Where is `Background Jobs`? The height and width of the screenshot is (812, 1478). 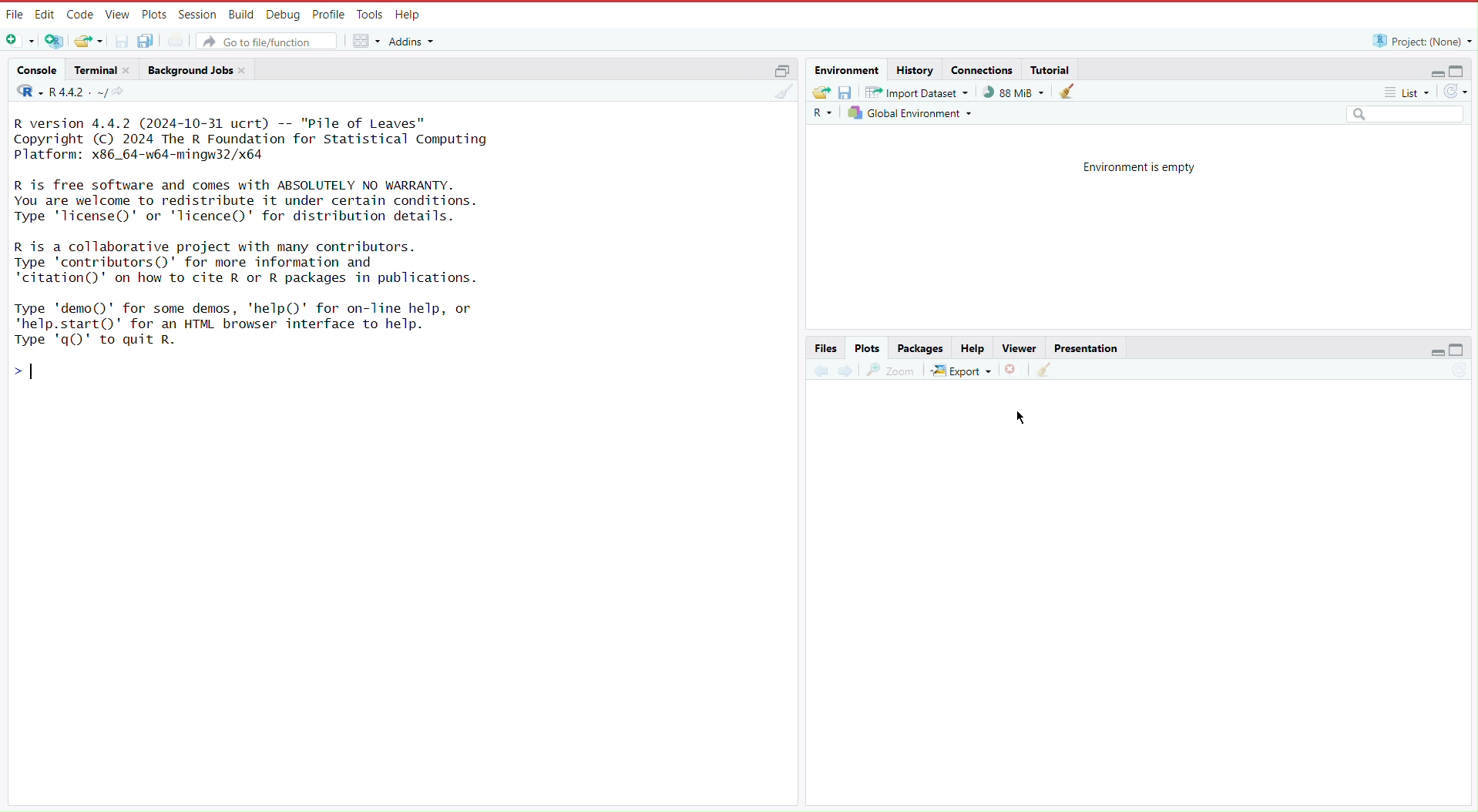
Background Jobs is located at coordinates (198, 69).